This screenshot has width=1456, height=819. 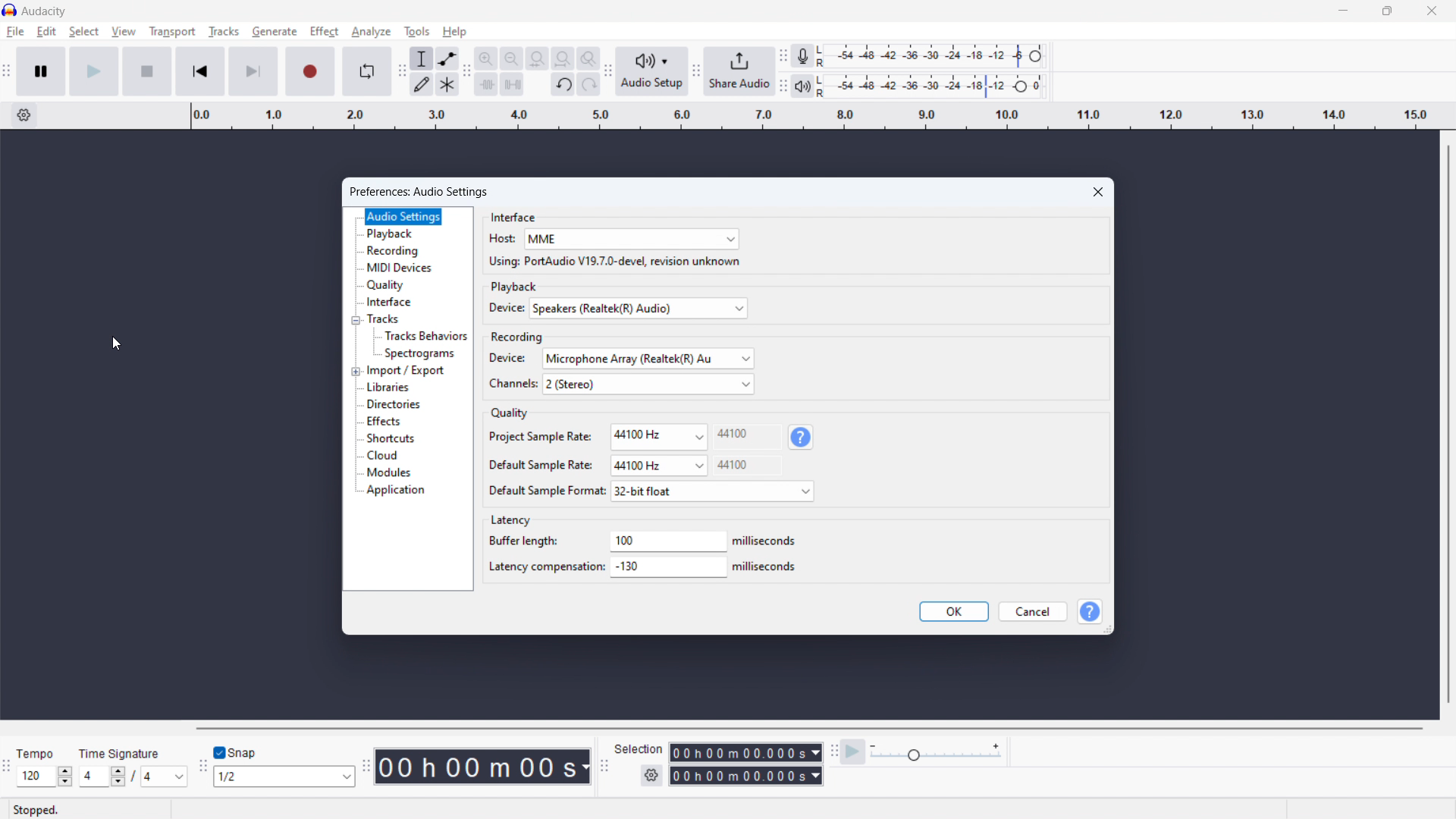 I want to click on envelop tool, so click(x=447, y=58).